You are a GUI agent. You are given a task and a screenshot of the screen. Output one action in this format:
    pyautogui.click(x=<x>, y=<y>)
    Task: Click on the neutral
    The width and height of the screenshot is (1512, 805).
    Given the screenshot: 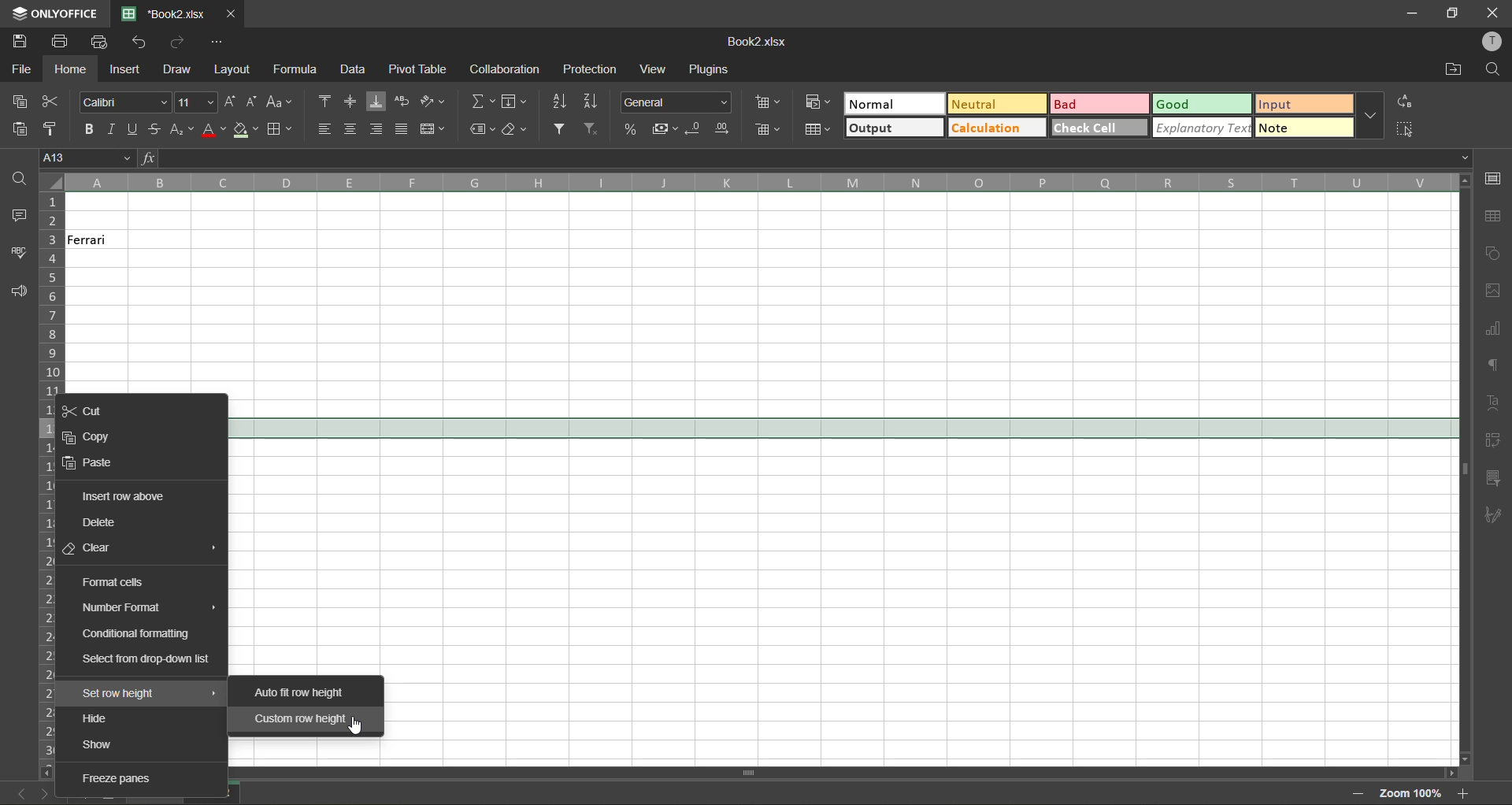 What is the action you would take?
    pyautogui.click(x=1001, y=105)
    